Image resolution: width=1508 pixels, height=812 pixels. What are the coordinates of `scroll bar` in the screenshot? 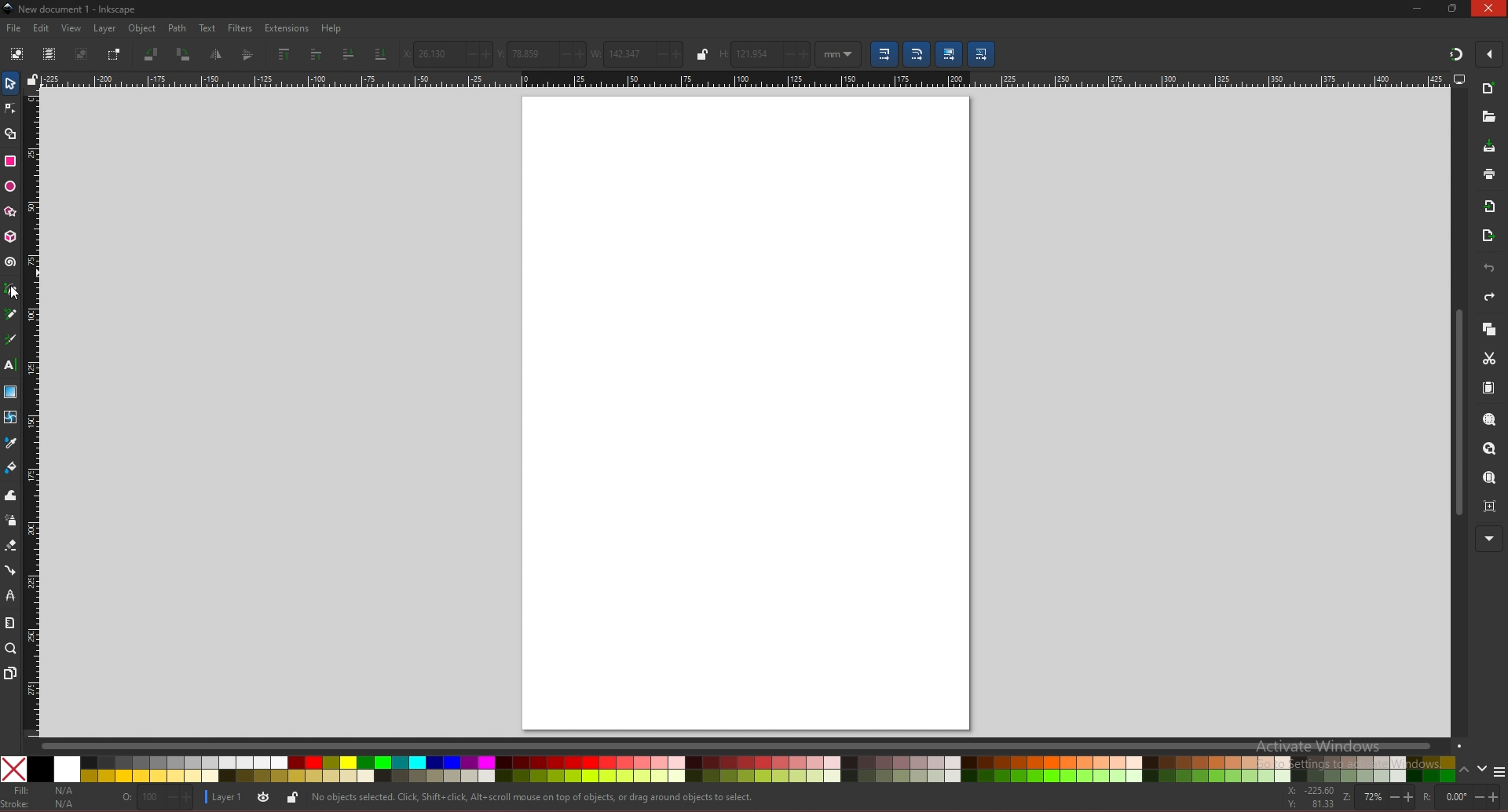 It's located at (1456, 413).